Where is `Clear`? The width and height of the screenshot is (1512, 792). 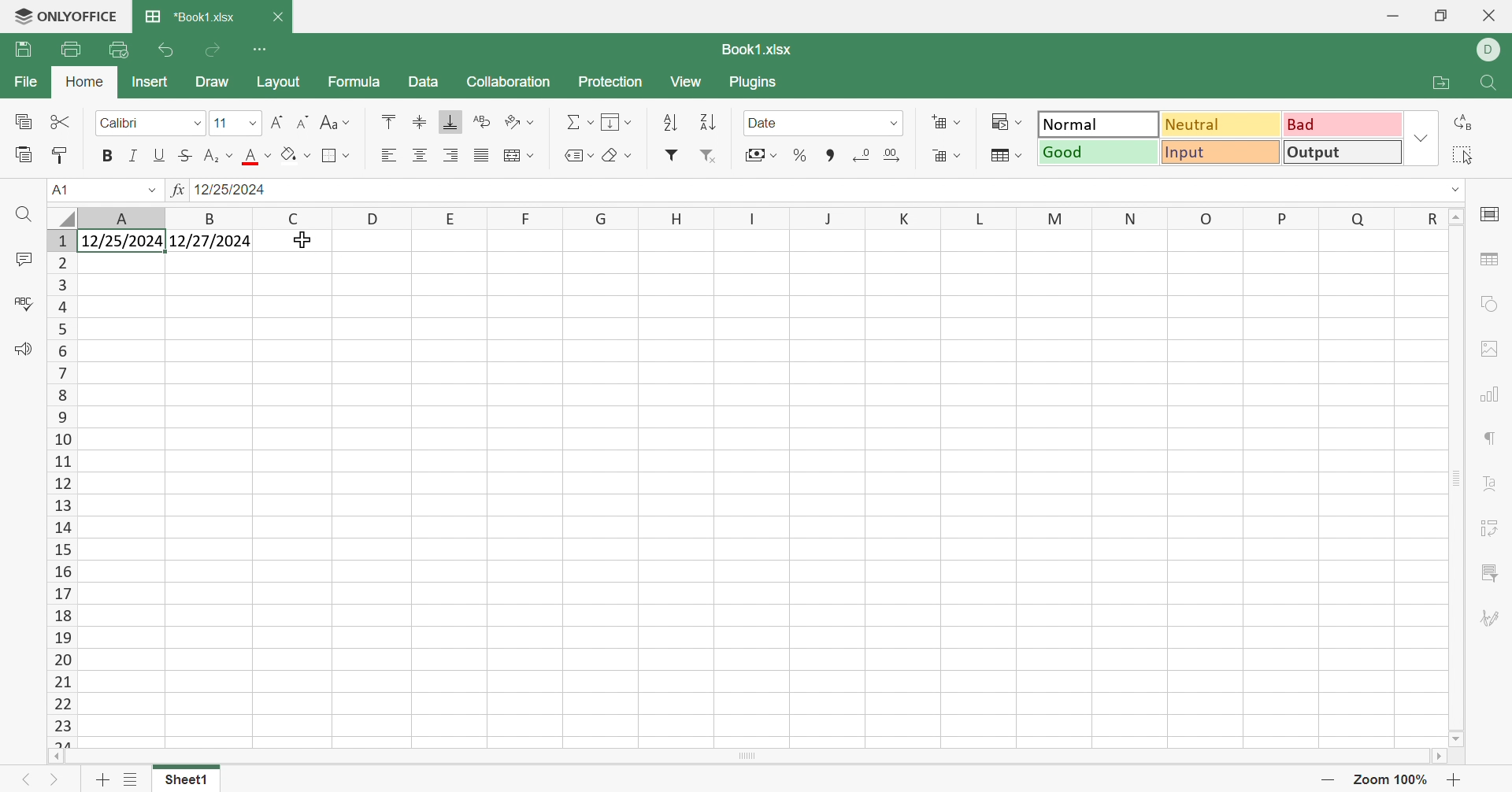
Clear is located at coordinates (615, 154).